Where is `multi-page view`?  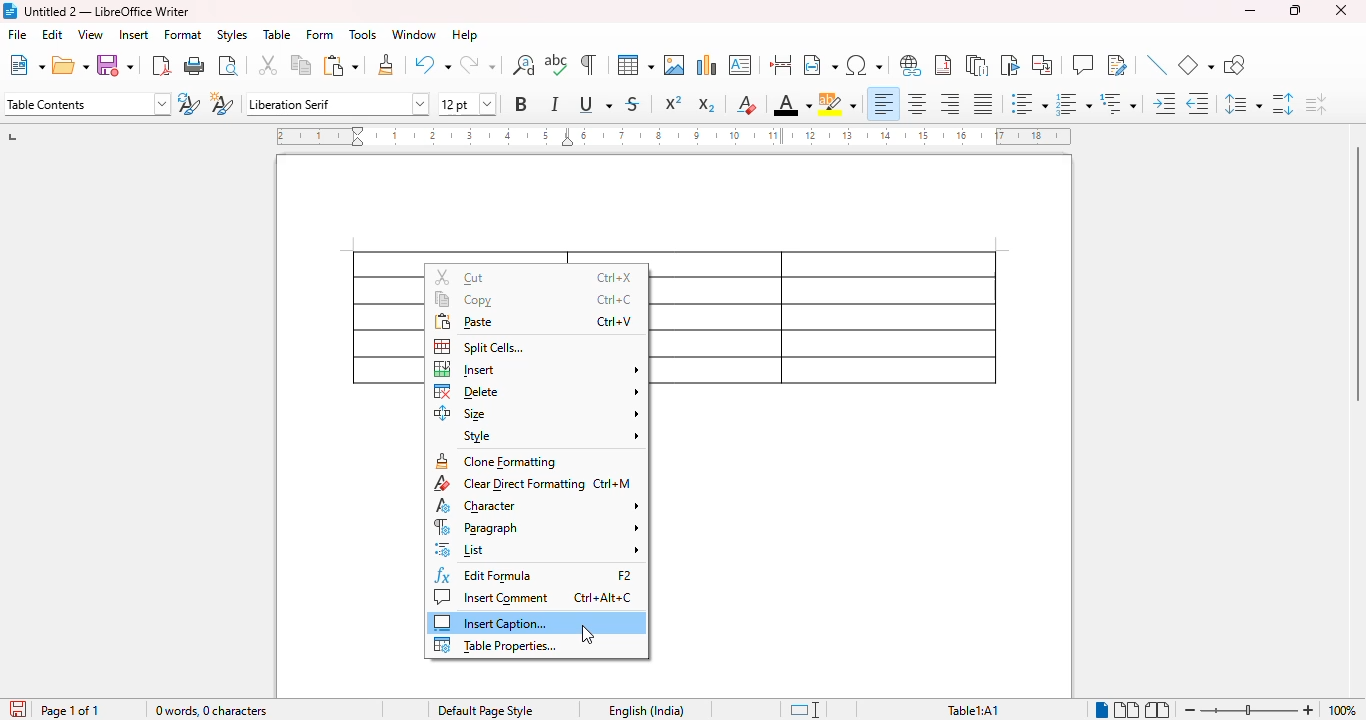 multi-page view is located at coordinates (1128, 710).